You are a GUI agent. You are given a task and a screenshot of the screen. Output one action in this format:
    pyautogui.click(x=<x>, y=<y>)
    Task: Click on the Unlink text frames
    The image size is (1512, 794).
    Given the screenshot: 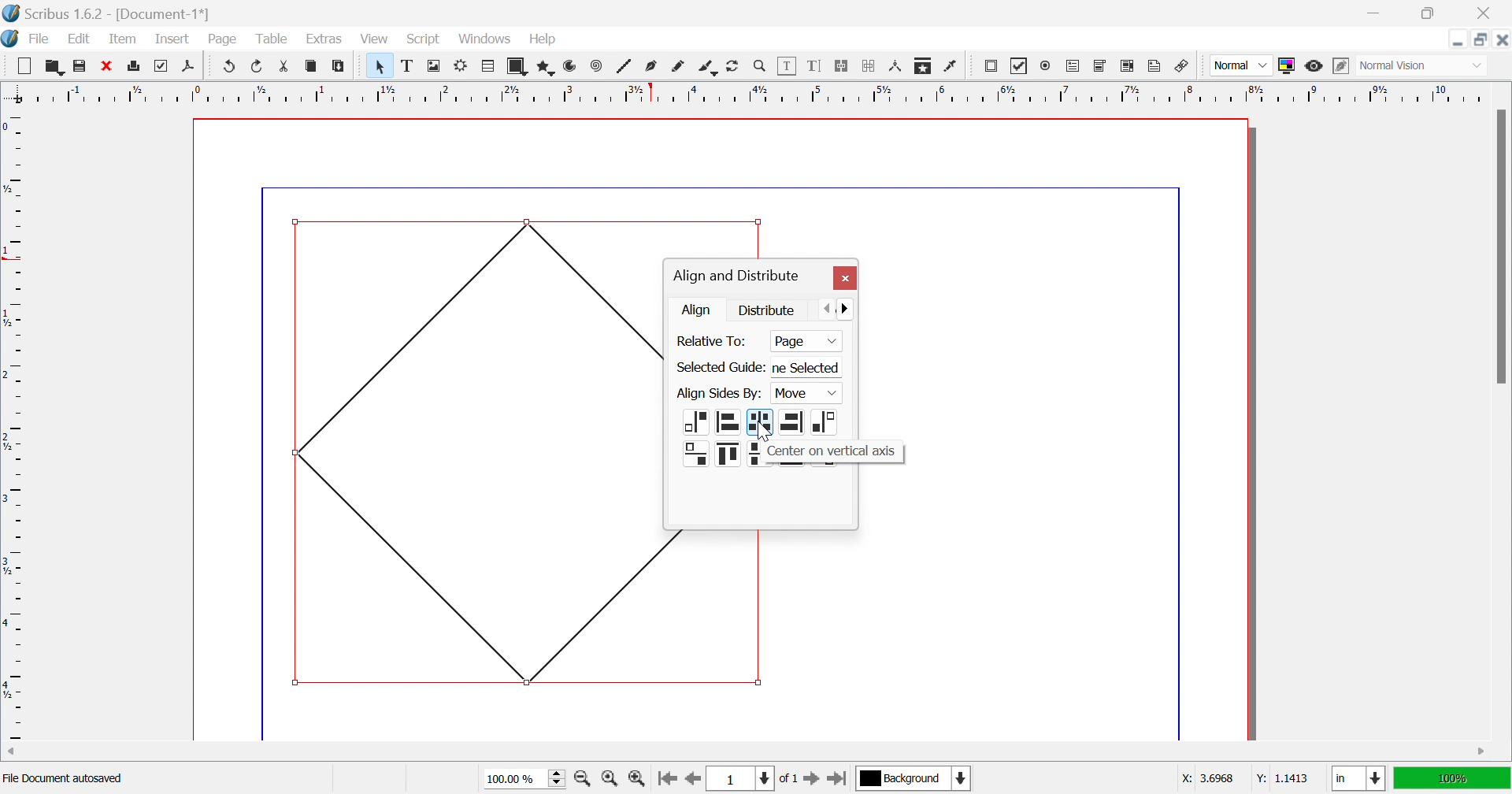 What is the action you would take?
    pyautogui.click(x=869, y=66)
    